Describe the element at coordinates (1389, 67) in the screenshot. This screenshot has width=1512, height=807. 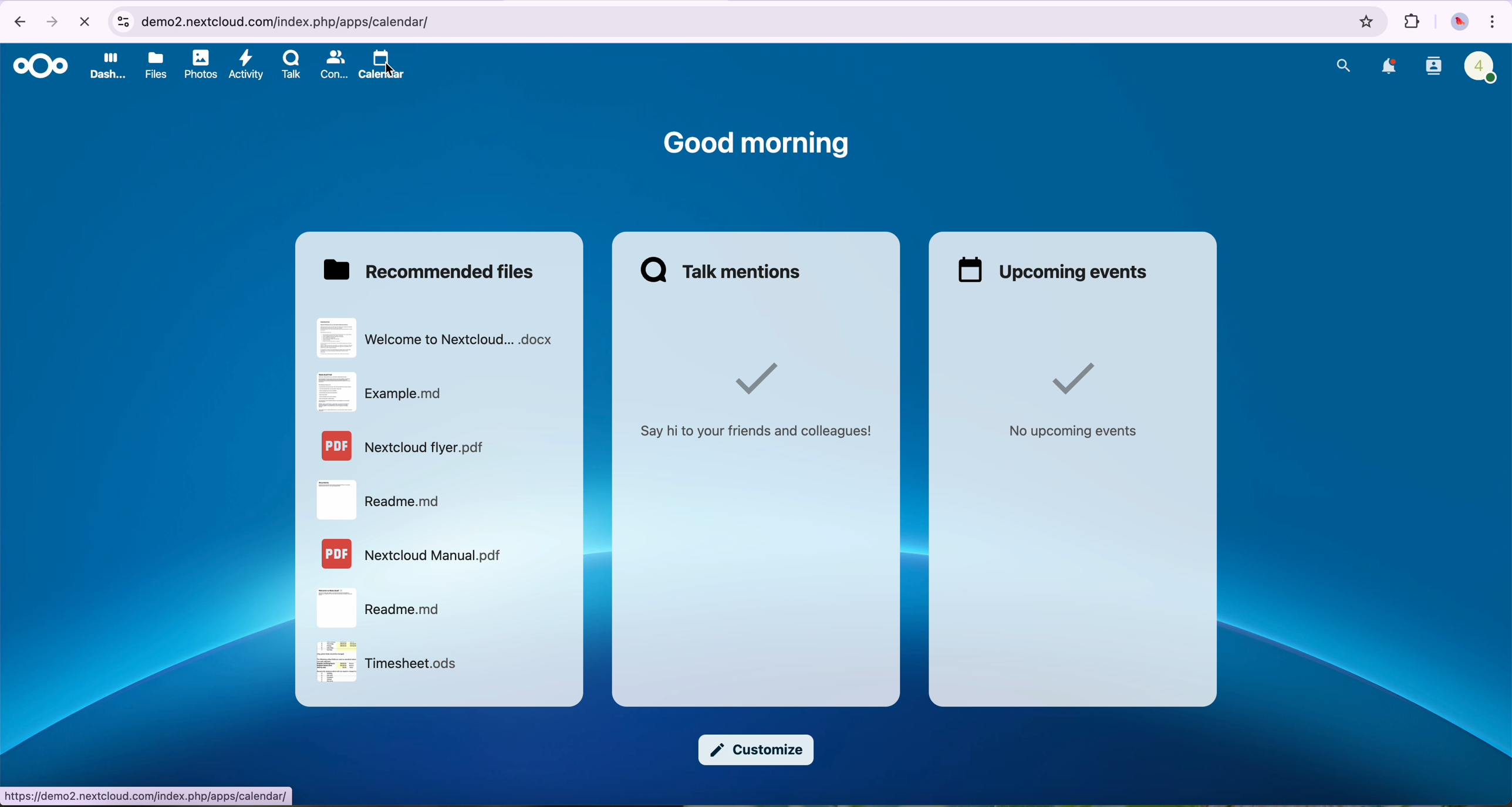
I see `notifications` at that location.